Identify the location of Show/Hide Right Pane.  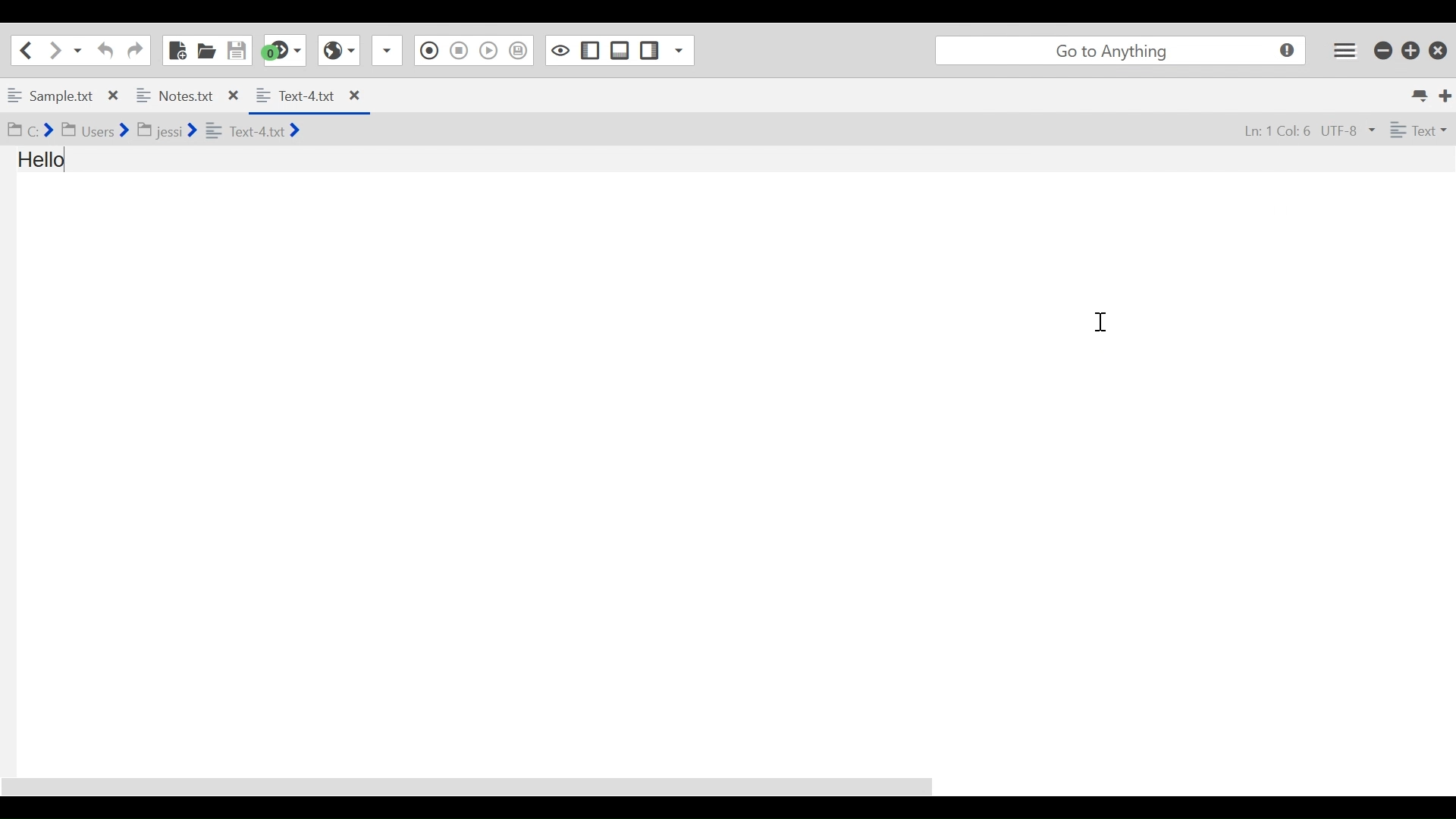
(650, 51).